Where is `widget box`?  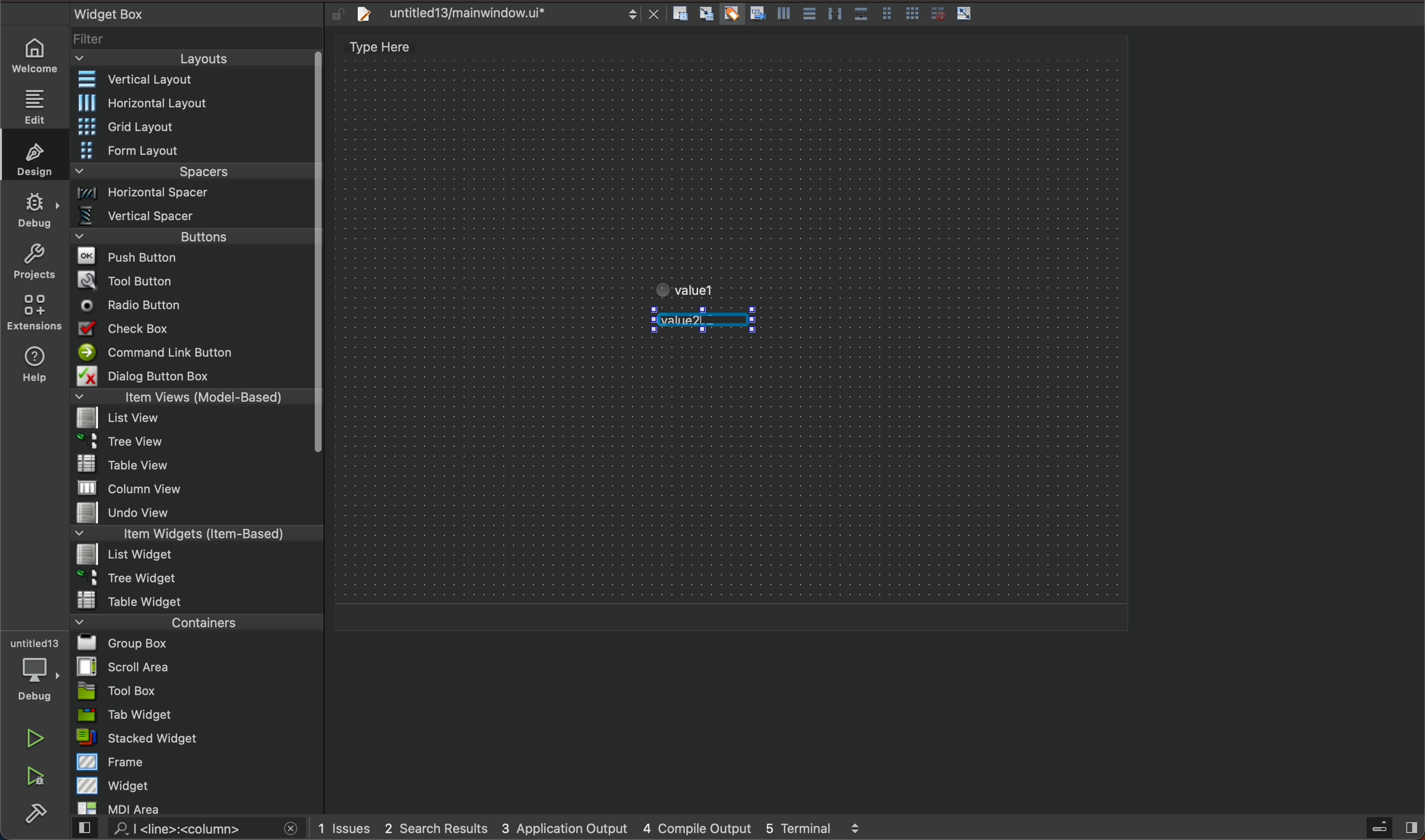 widget box is located at coordinates (181, 13).